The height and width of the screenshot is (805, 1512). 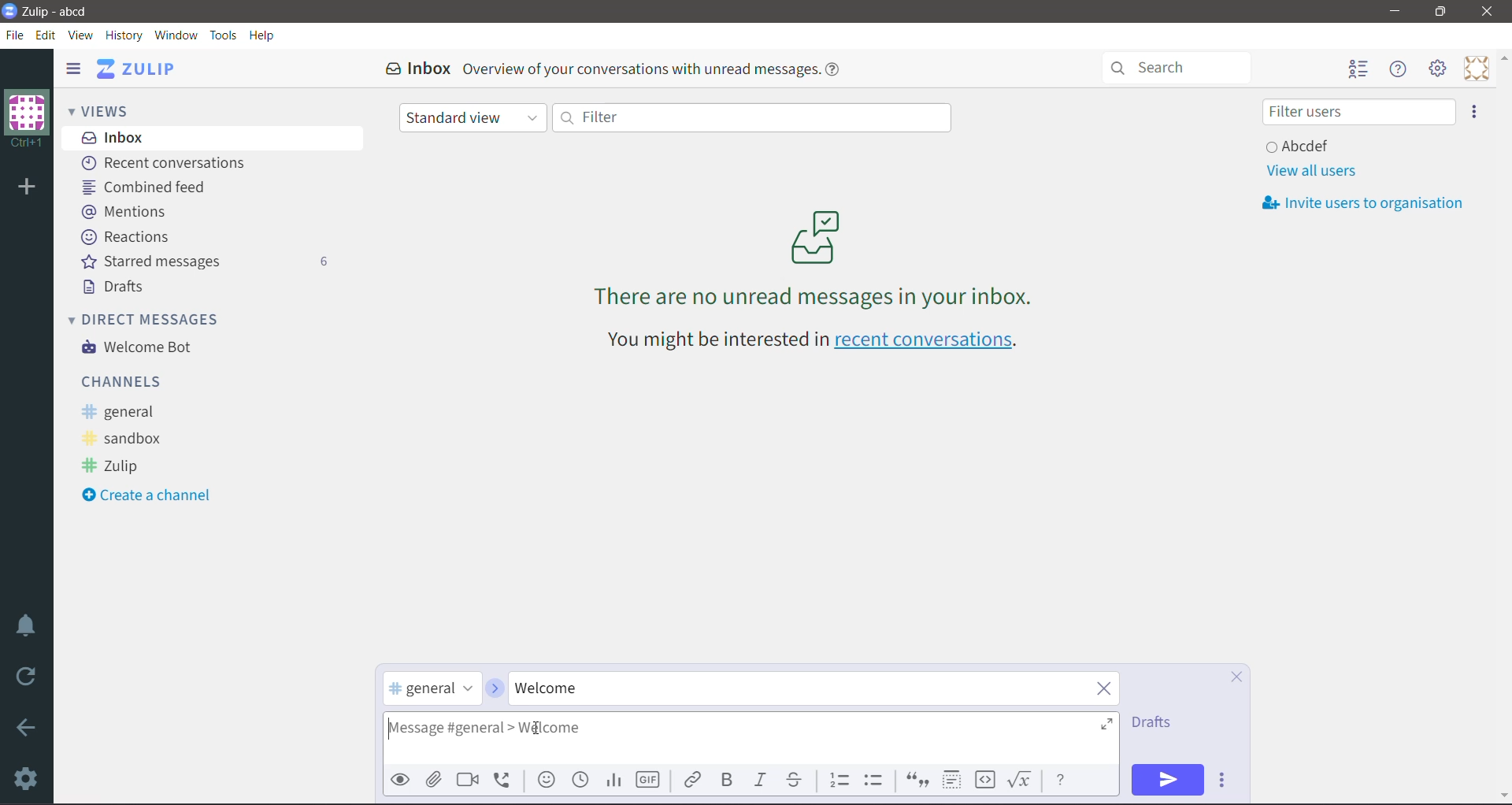 I want to click on Enable Do Not Disturb, so click(x=27, y=625).